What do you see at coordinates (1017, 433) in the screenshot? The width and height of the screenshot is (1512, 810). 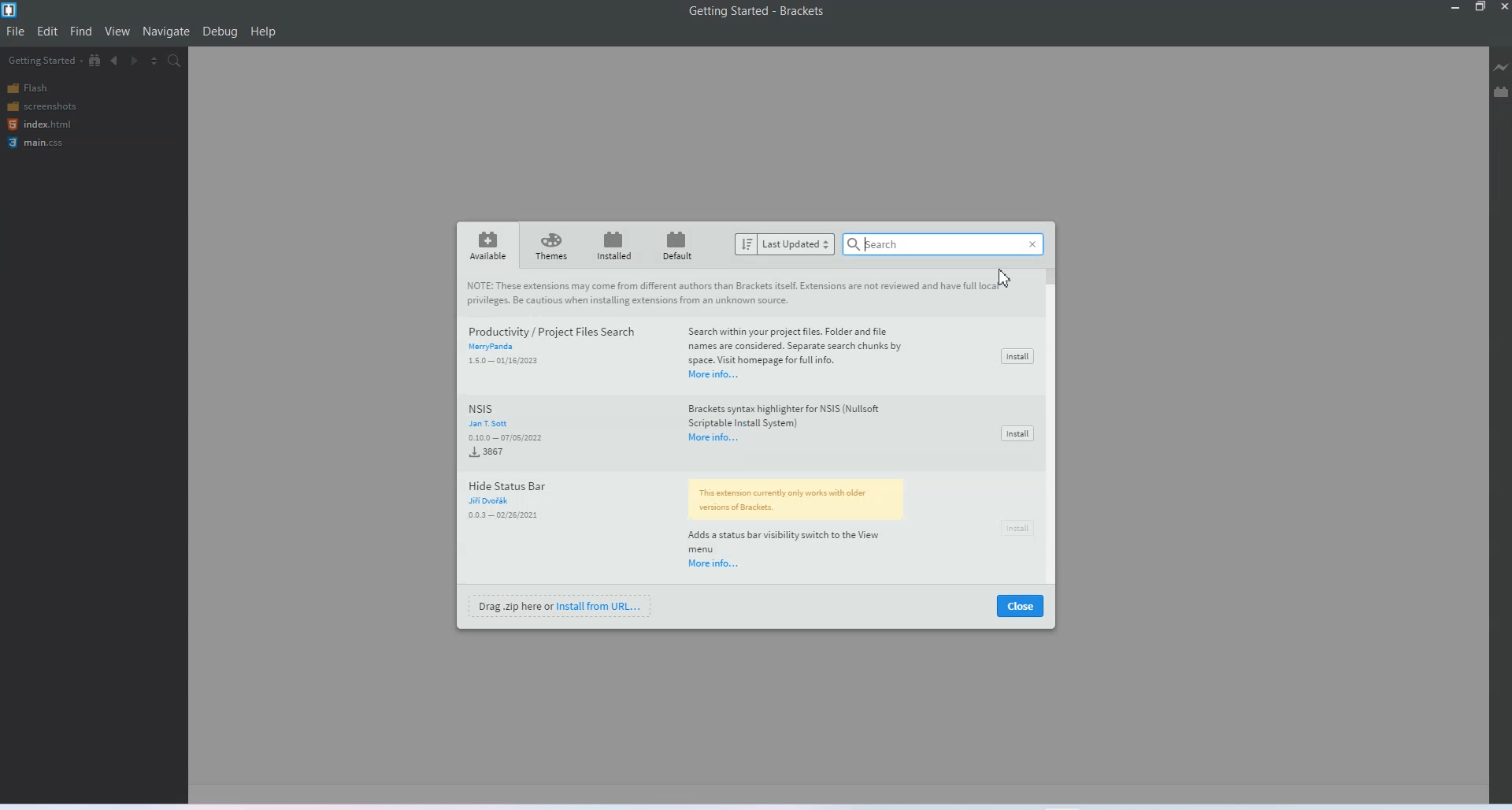 I see `install` at bounding box center [1017, 433].